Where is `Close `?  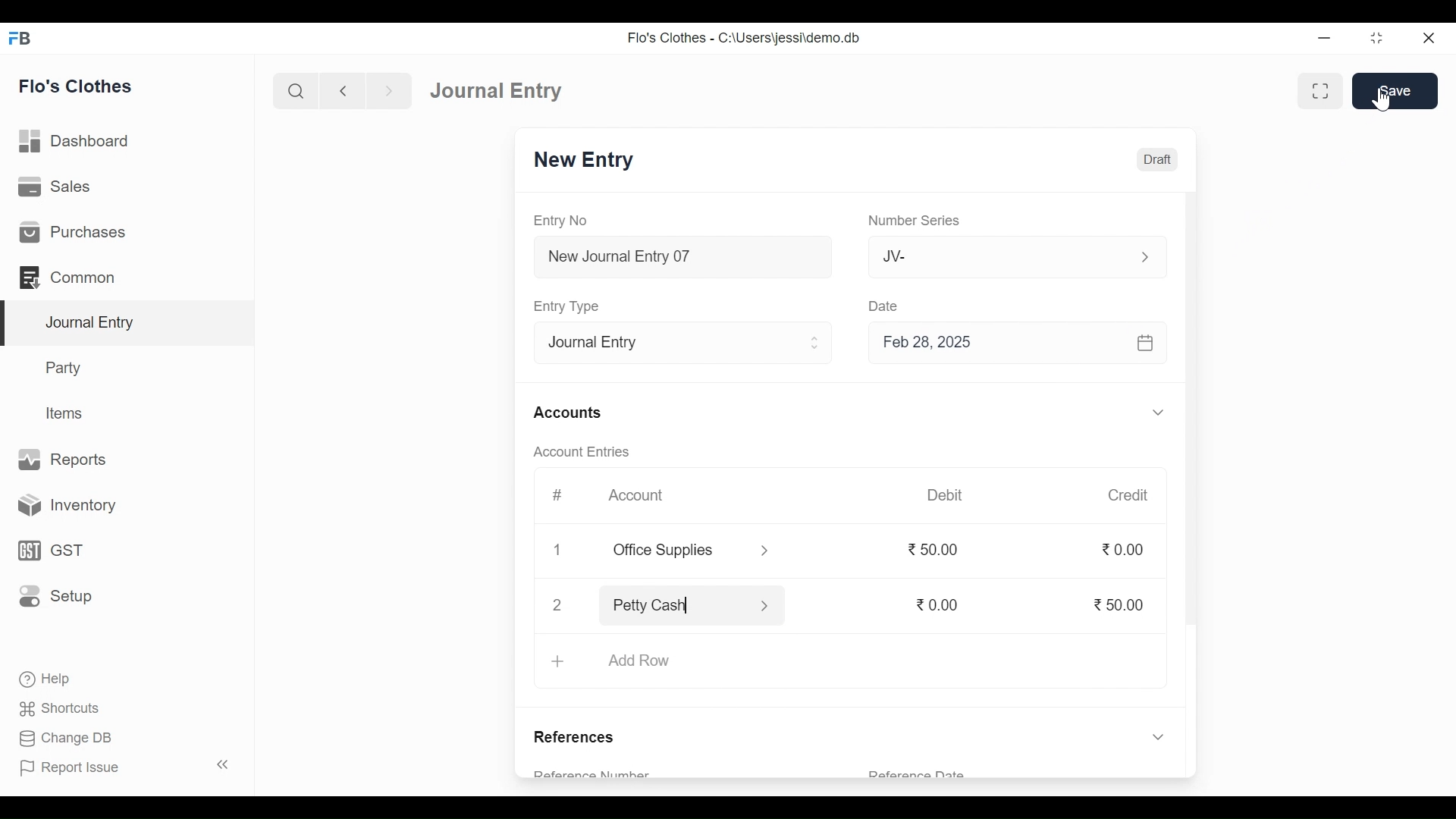 Close  is located at coordinates (557, 605).